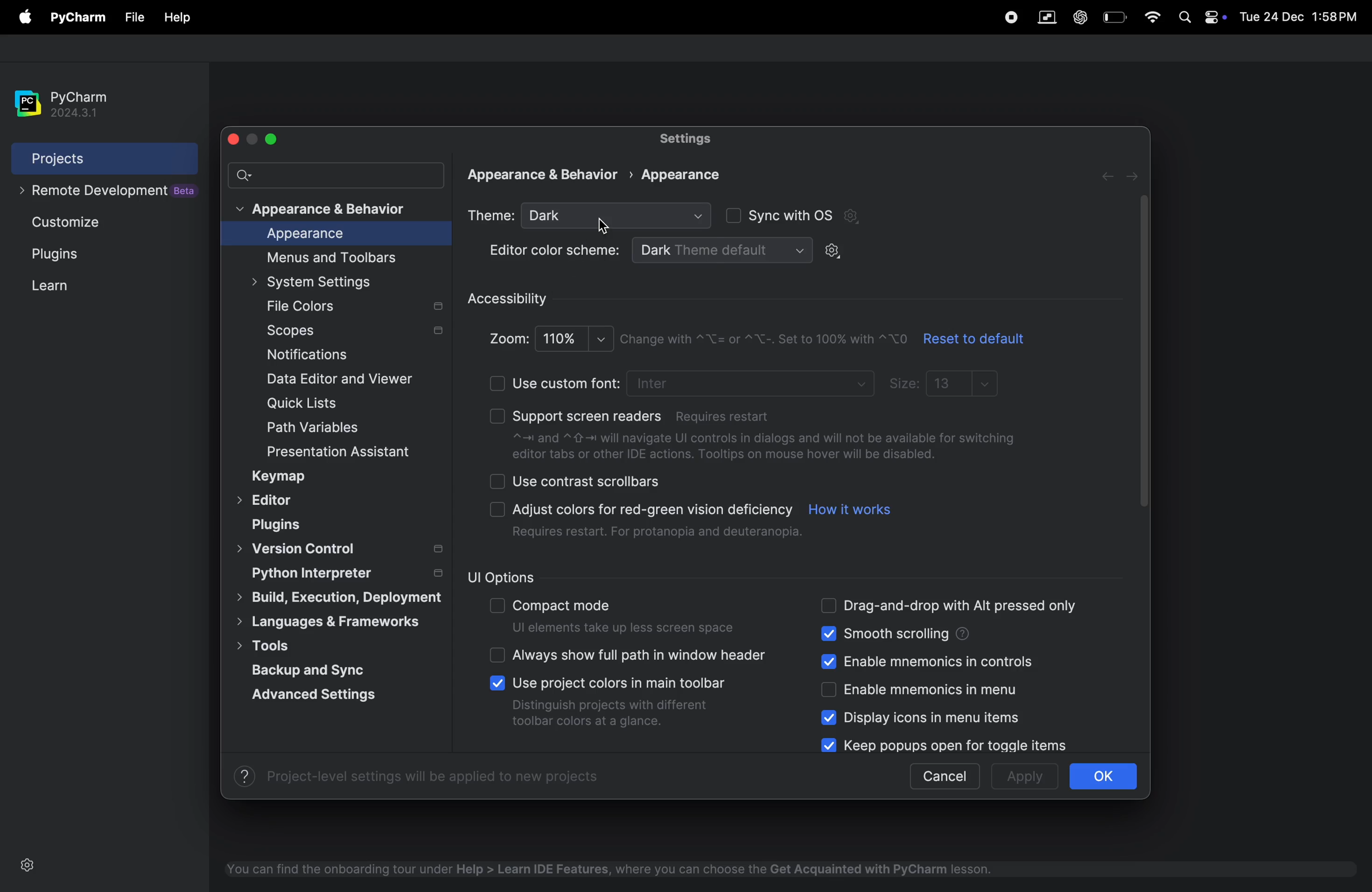 Image resolution: width=1372 pixels, height=892 pixels. Describe the element at coordinates (645, 413) in the screenshot. I see `support screen readers` at that location.